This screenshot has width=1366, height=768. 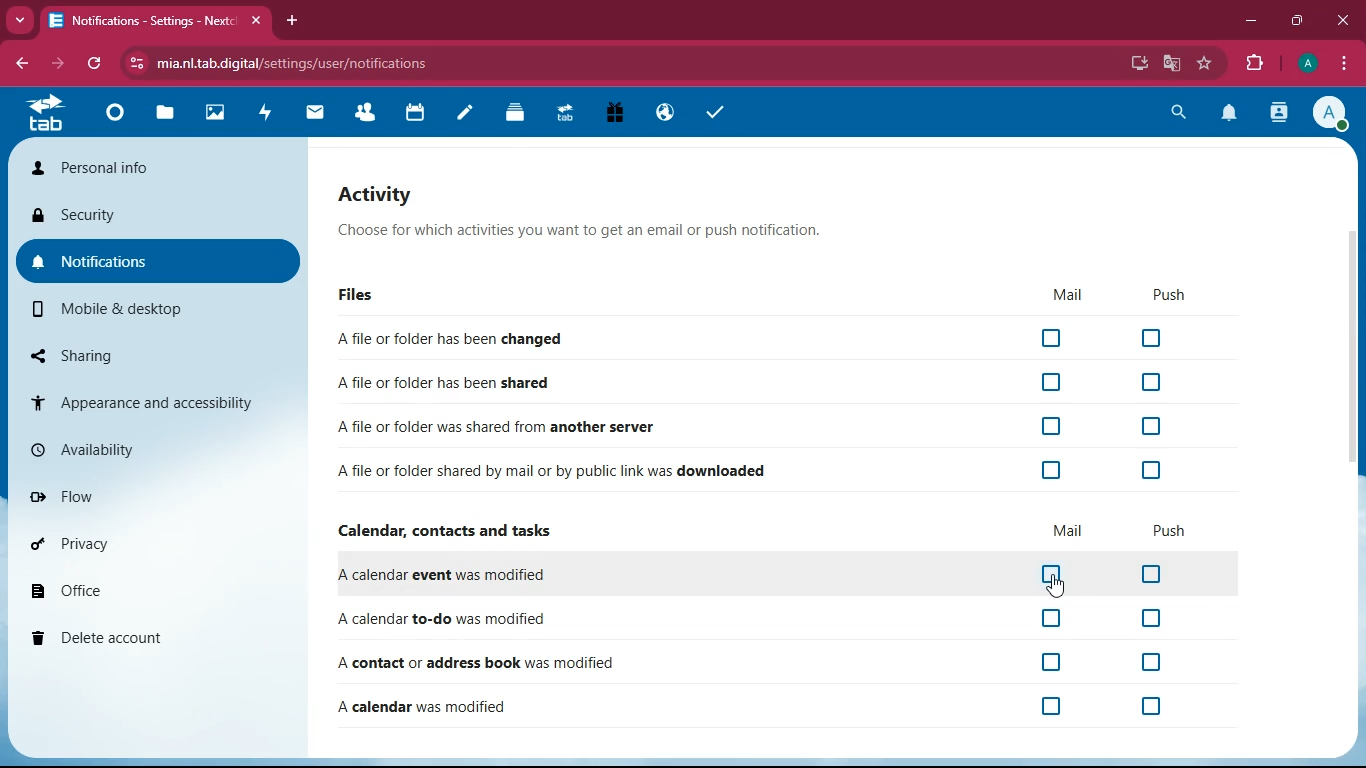 What do you see at coordinates (757, 428) in the screenshot?
I see `A file or folder was shared from another server` at bounding box center [757, 428].